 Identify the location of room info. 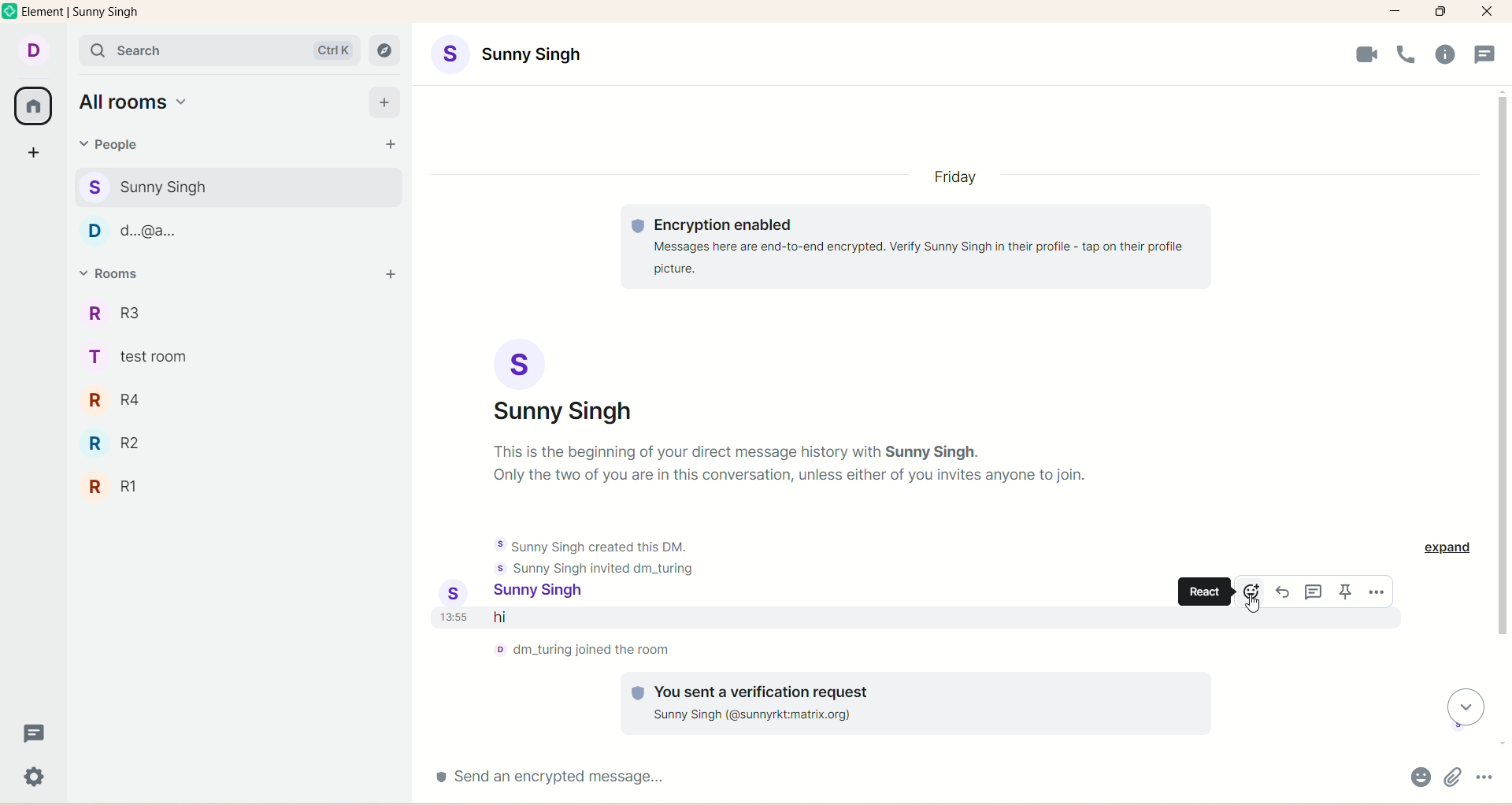
(1445, 54).